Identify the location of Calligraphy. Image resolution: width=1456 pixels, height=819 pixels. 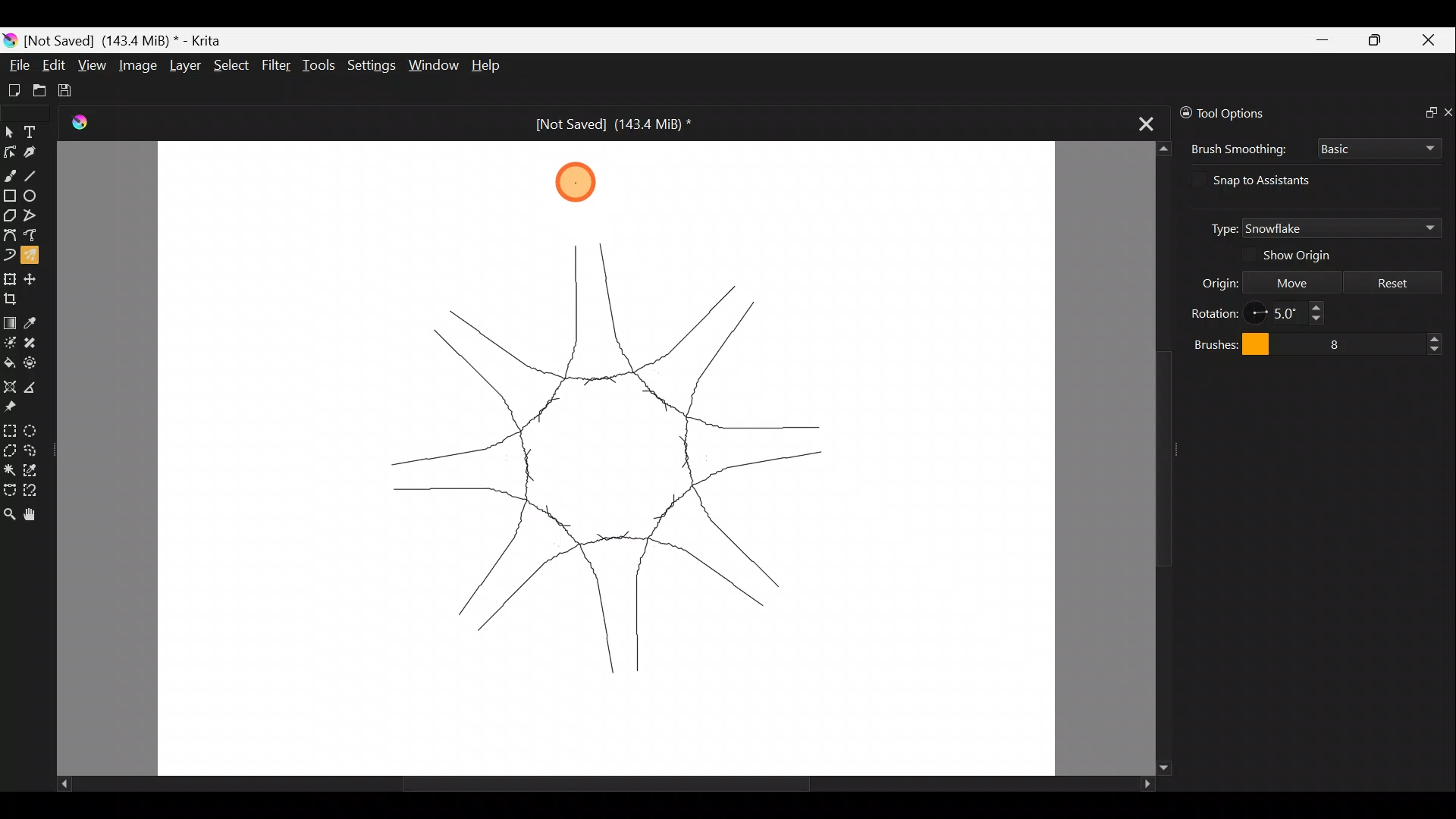
(35, 149).